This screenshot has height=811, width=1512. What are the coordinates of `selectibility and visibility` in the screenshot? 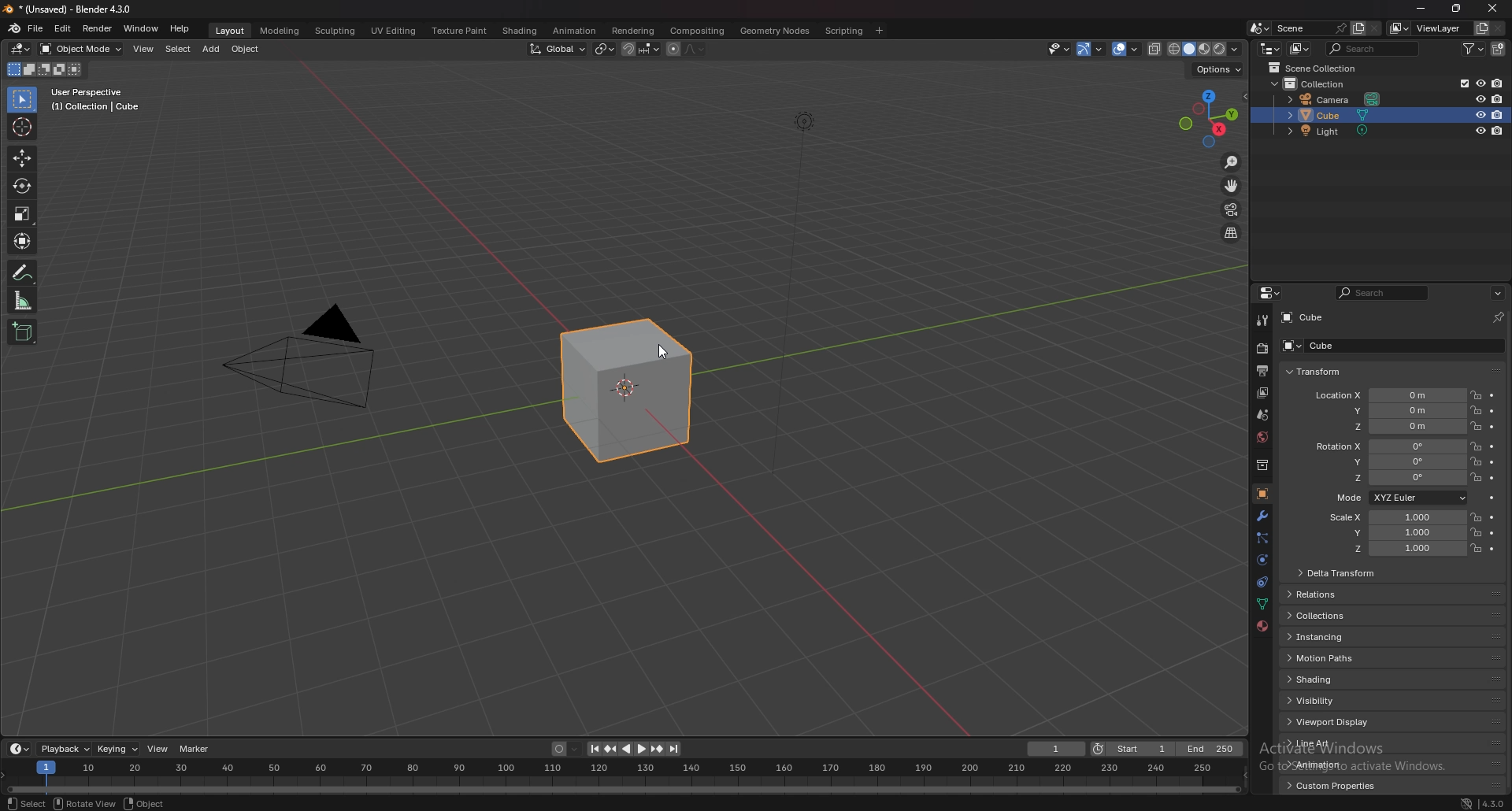 It's located at (1058, 50).